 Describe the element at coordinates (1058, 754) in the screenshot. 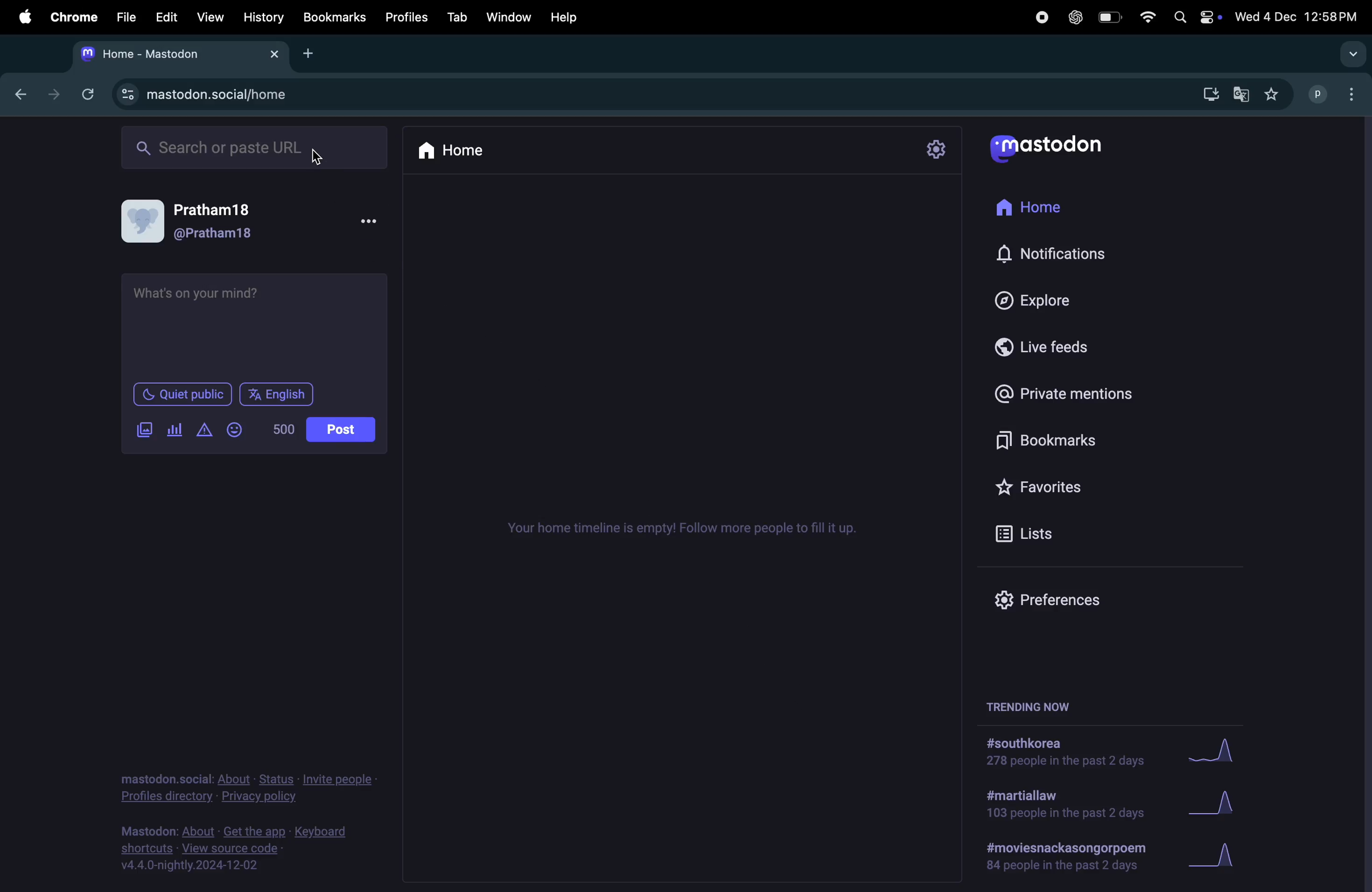

I see `#south korea` at that location.